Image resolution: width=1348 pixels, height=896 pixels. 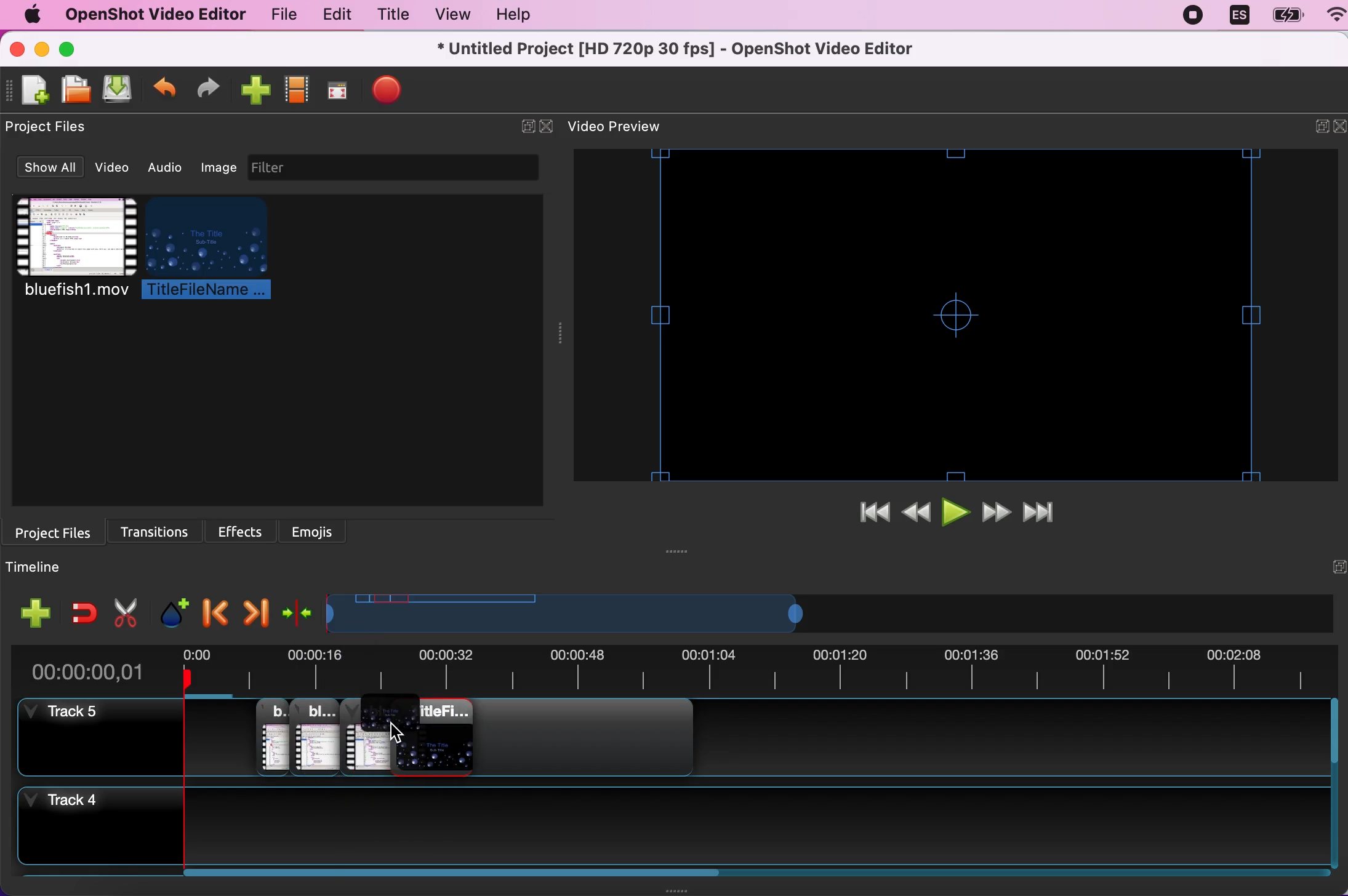 What do you see at coordinates (1313, 129) in the screenshot?
I see `expand/hide` at bounding box center [1313, 129].